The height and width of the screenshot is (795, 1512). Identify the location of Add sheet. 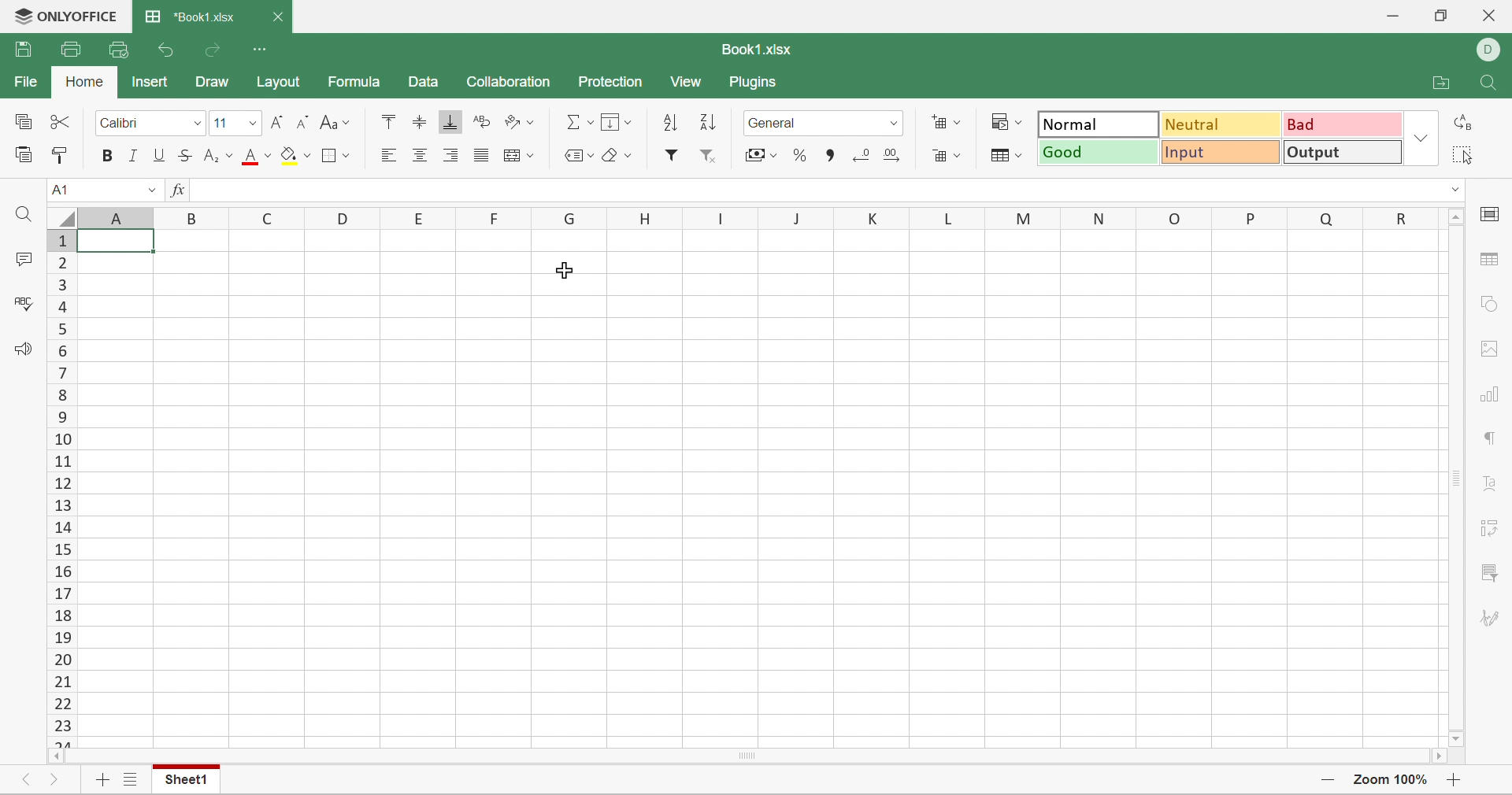
(100, 779).